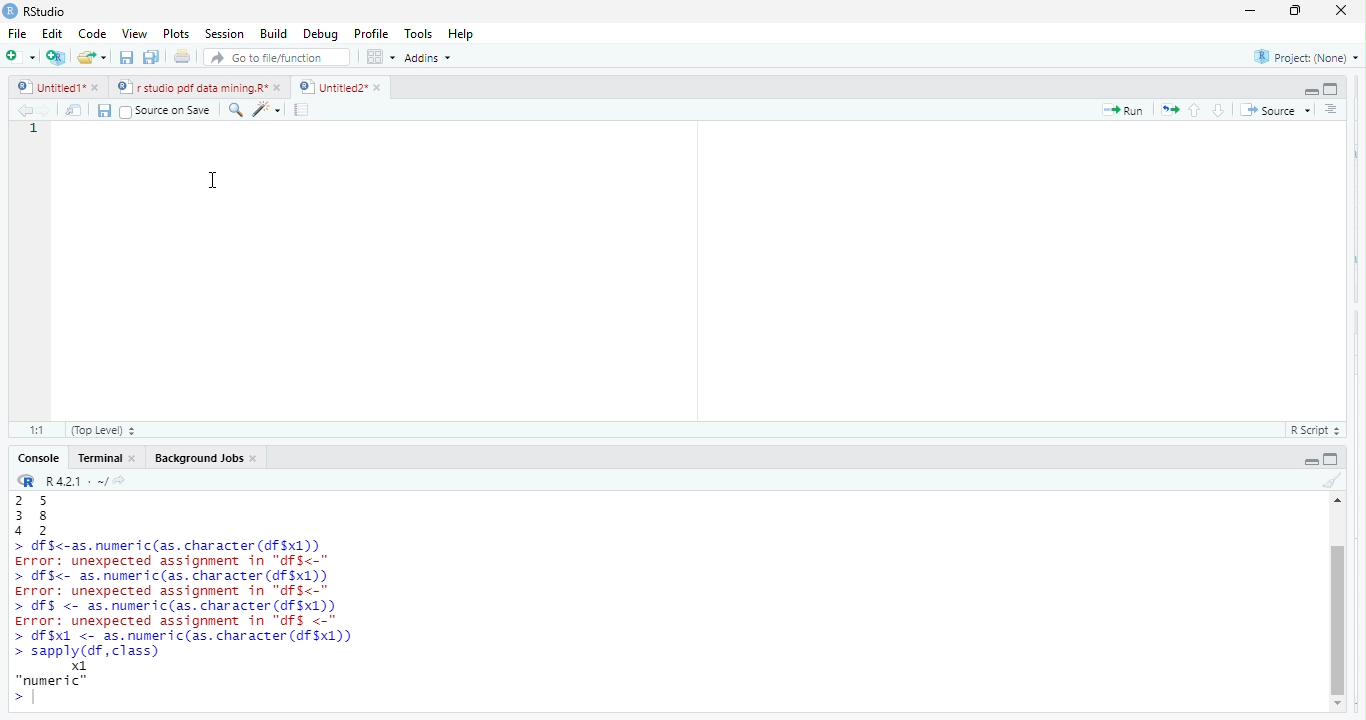 The image size is (1366, 720). What do you see at coordinates (1312, 462) in the screenshot?
I see `hide r script` at bounding box center [1312, 462].